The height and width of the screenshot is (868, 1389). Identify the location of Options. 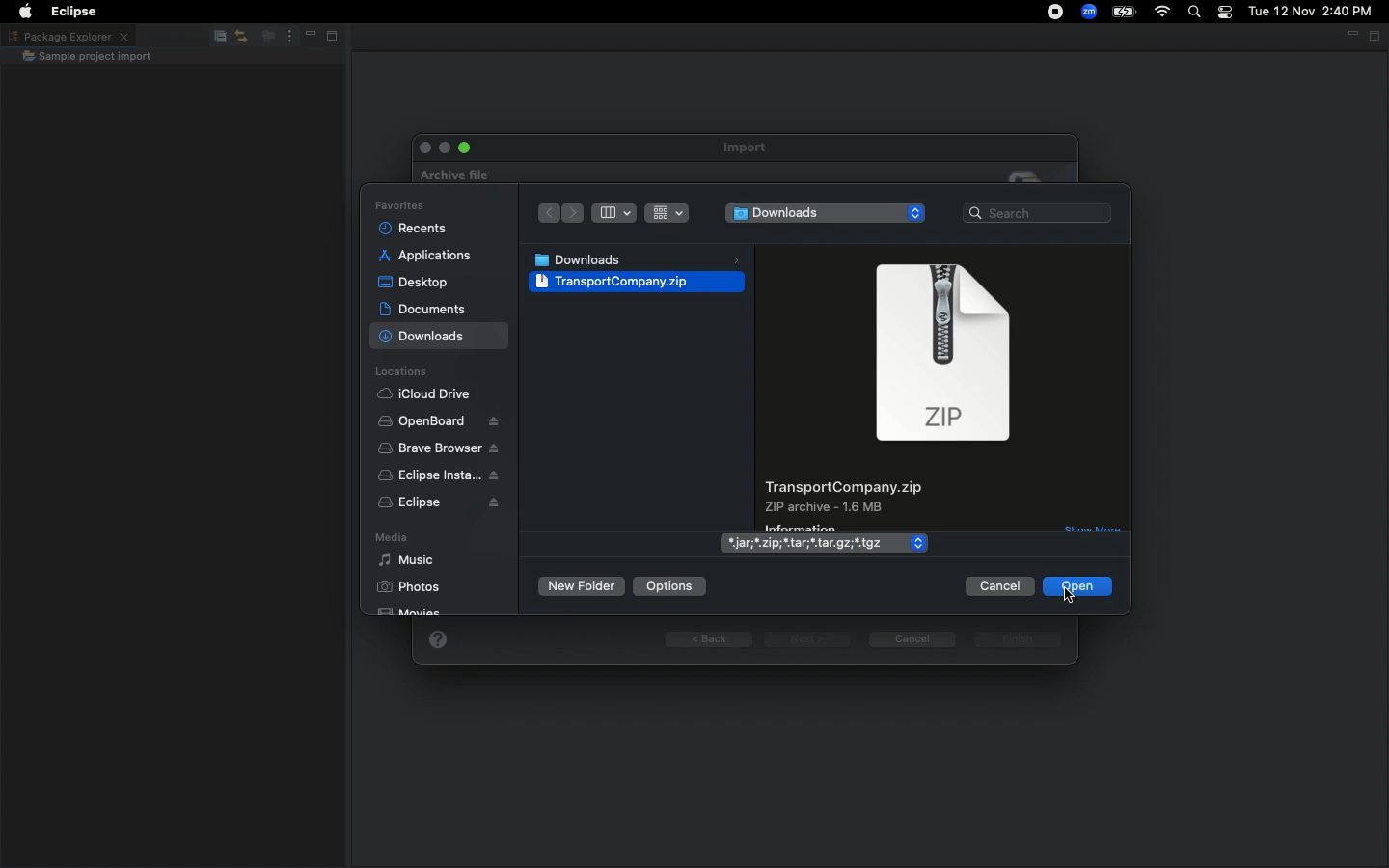
(669, 584).